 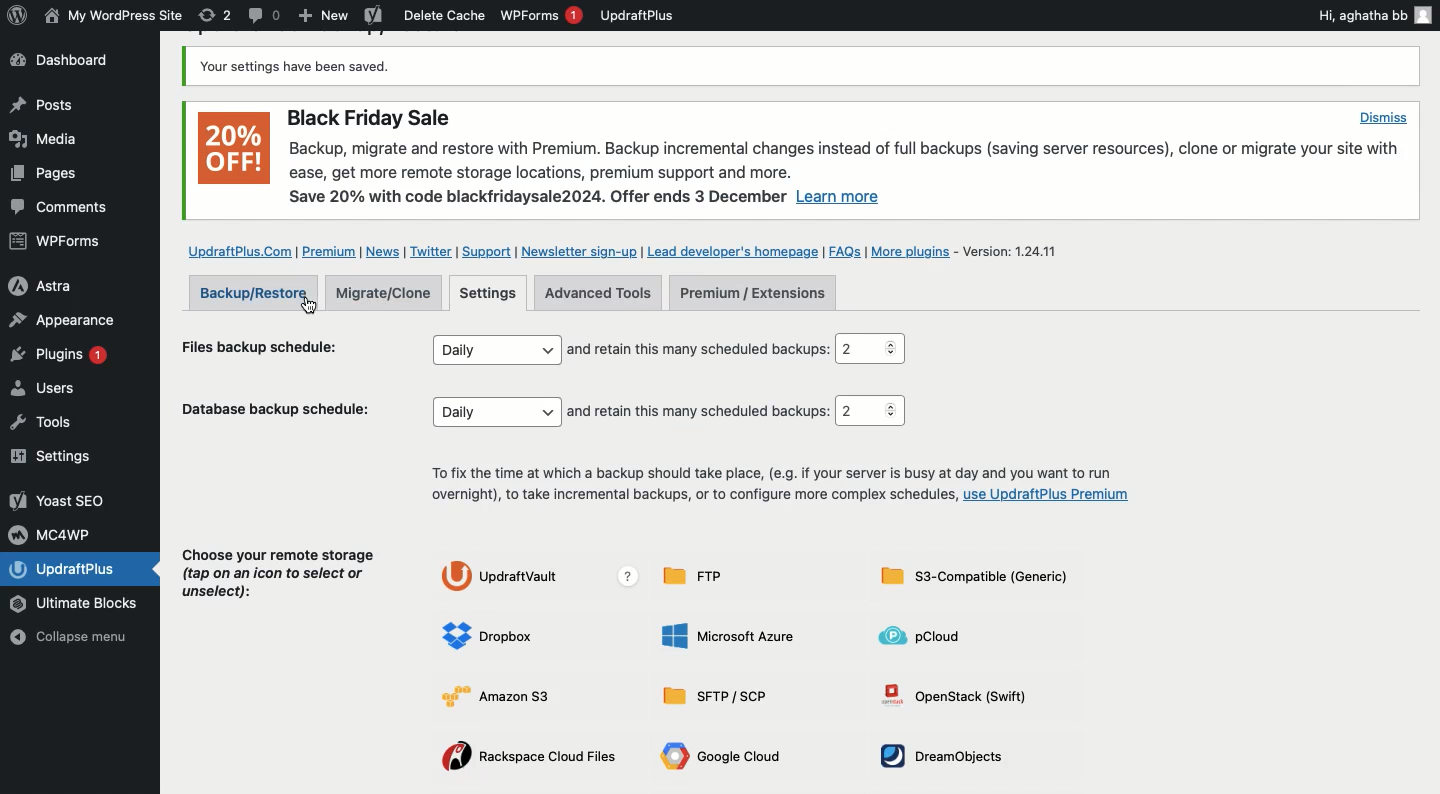 I want to click on Dropbox, so click(x=497, y=633).